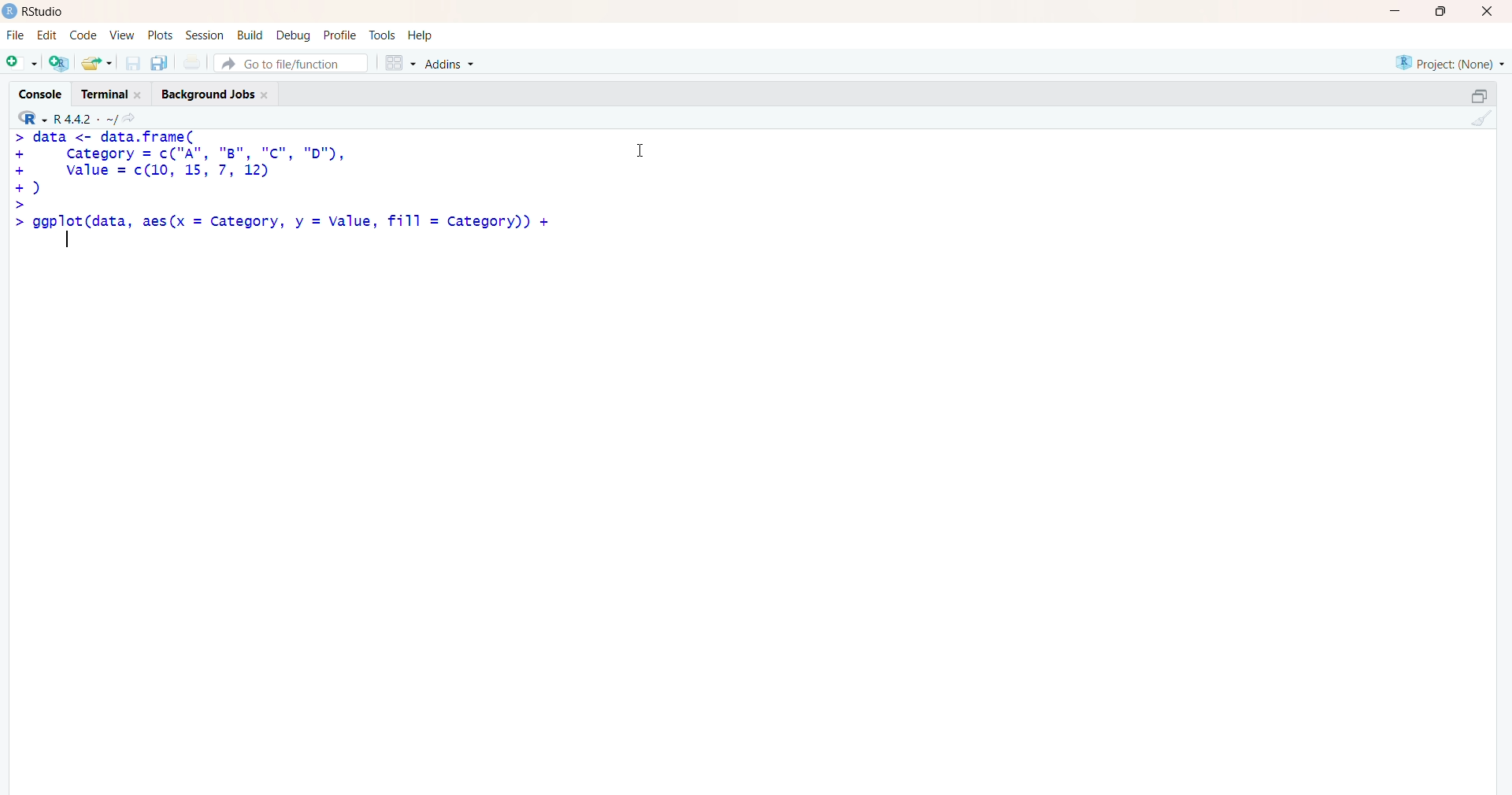 This screenshot has height=795, width=1512. What do you see at coordinates (641, 148) in the screenshot?
I see `Cursor` at bounding box center [641, 148].